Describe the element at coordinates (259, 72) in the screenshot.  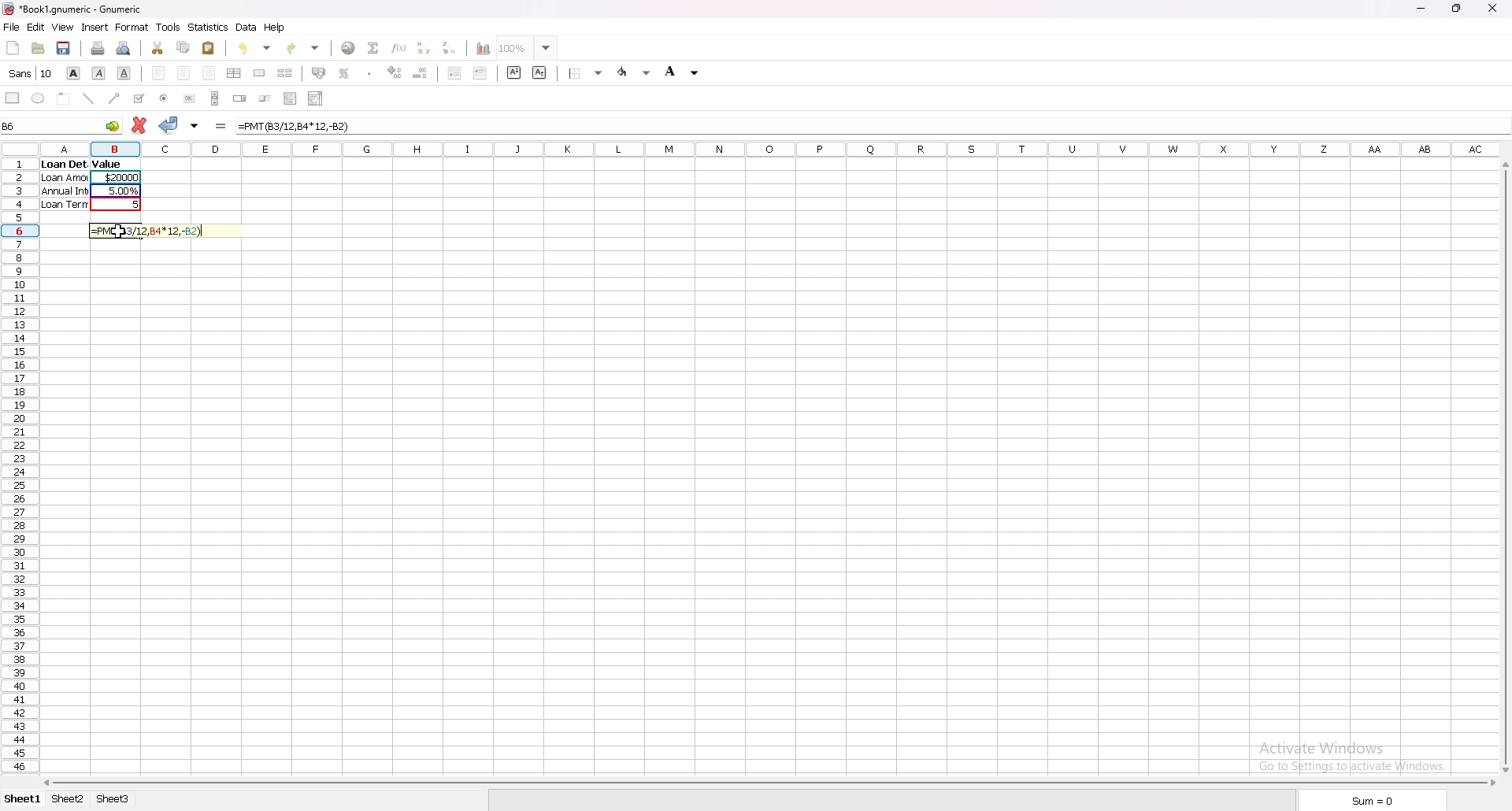
I see `merge cells` at that location.